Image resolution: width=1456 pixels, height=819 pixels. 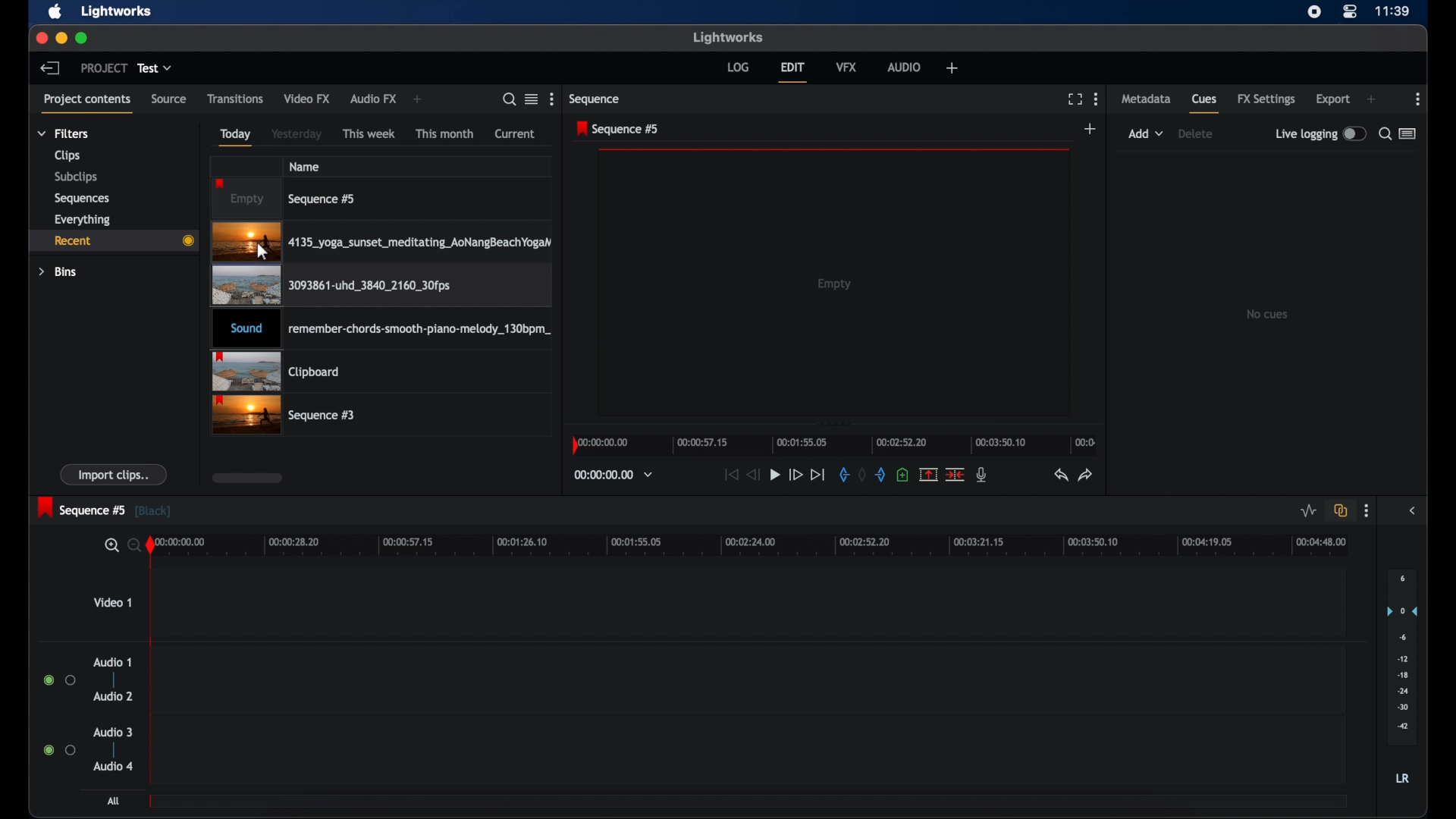 What do you see at coordinates (758, 546) in the screenshot?
I see `timeline scale` at bounding box center [758, 546].